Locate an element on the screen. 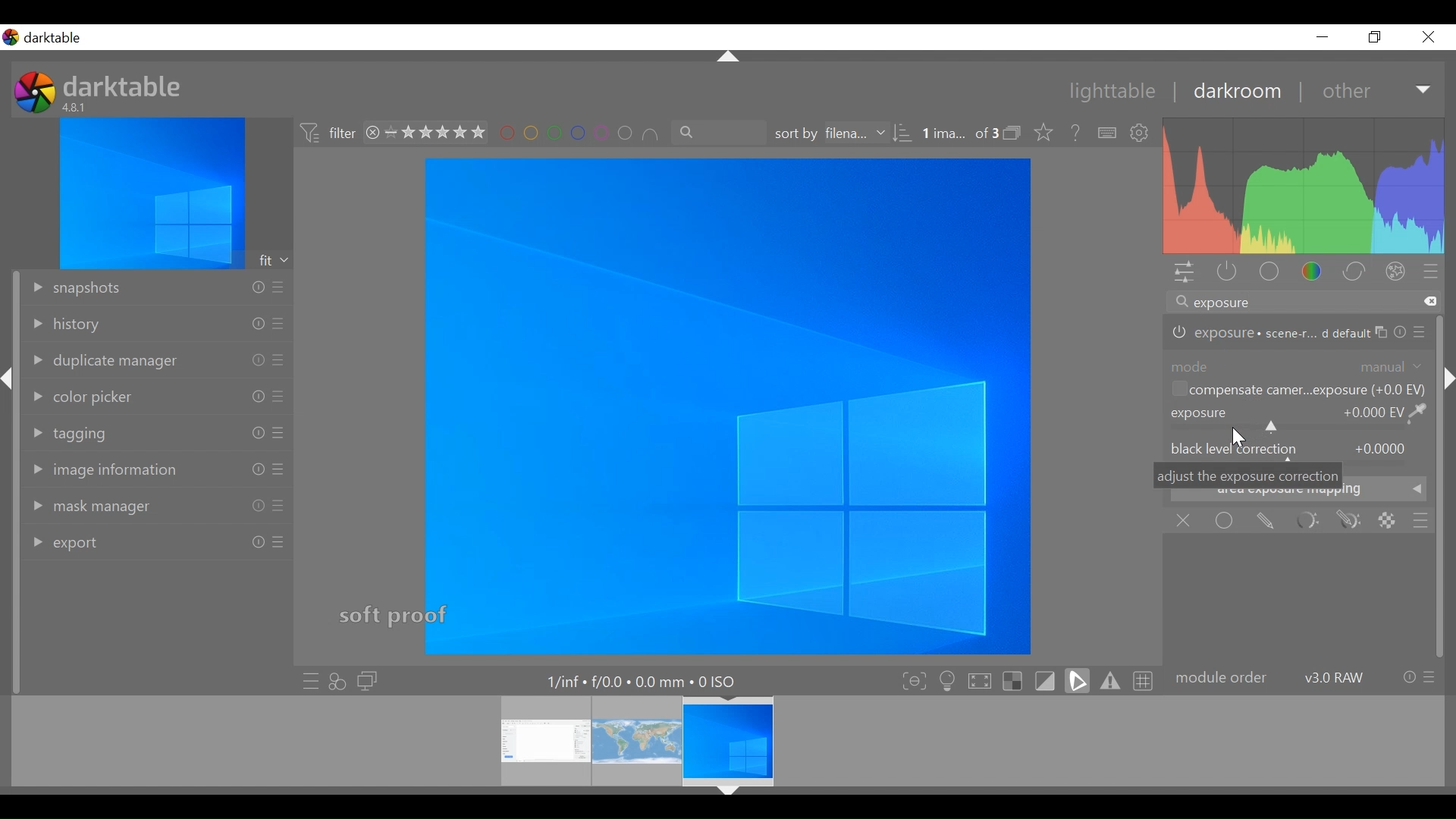 The image size is (1456, 819). other is located at coordinates (1345, 92).